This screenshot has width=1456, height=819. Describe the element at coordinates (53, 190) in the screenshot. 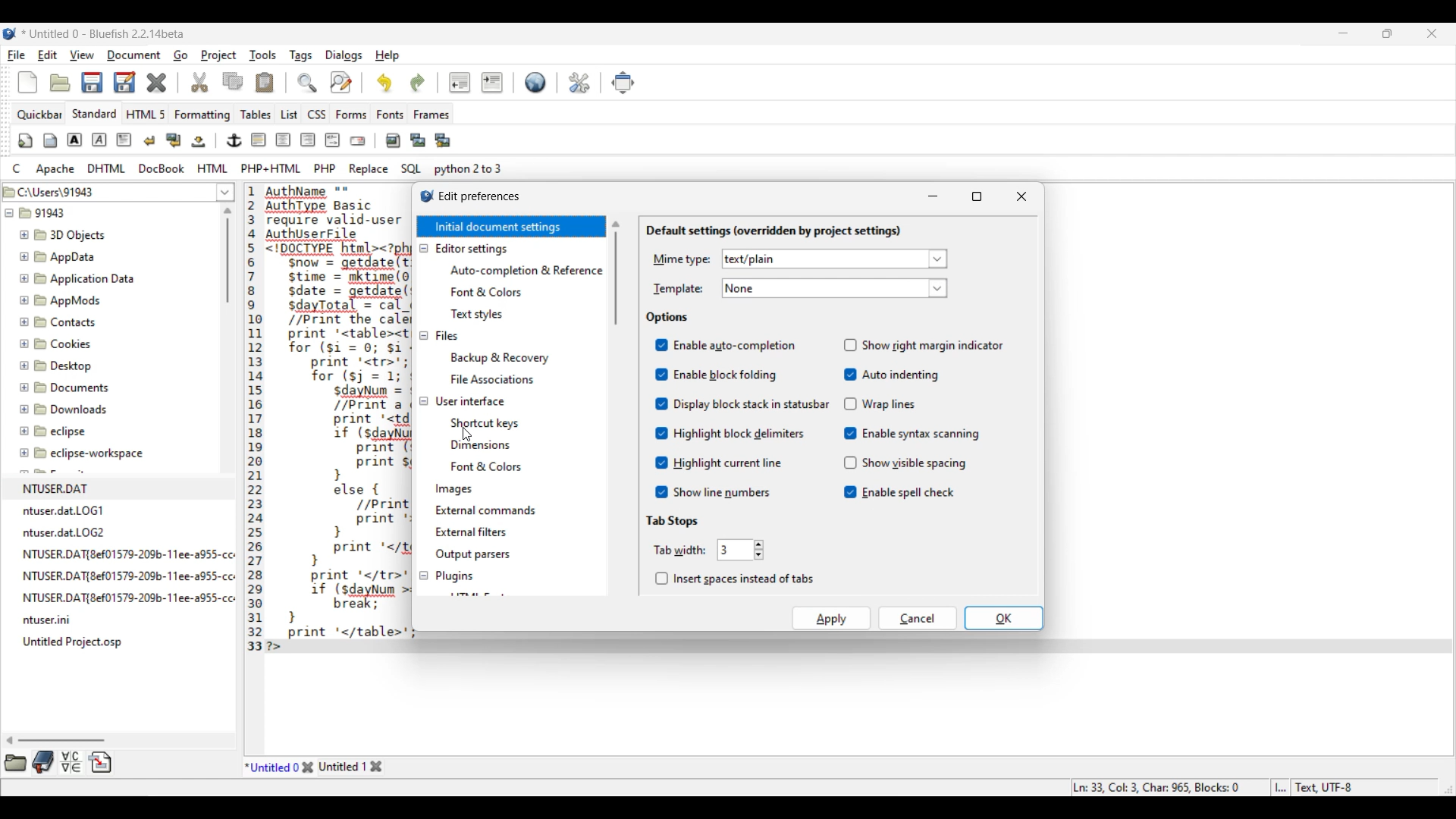

I see `2 C:\Users\91943` at that location.